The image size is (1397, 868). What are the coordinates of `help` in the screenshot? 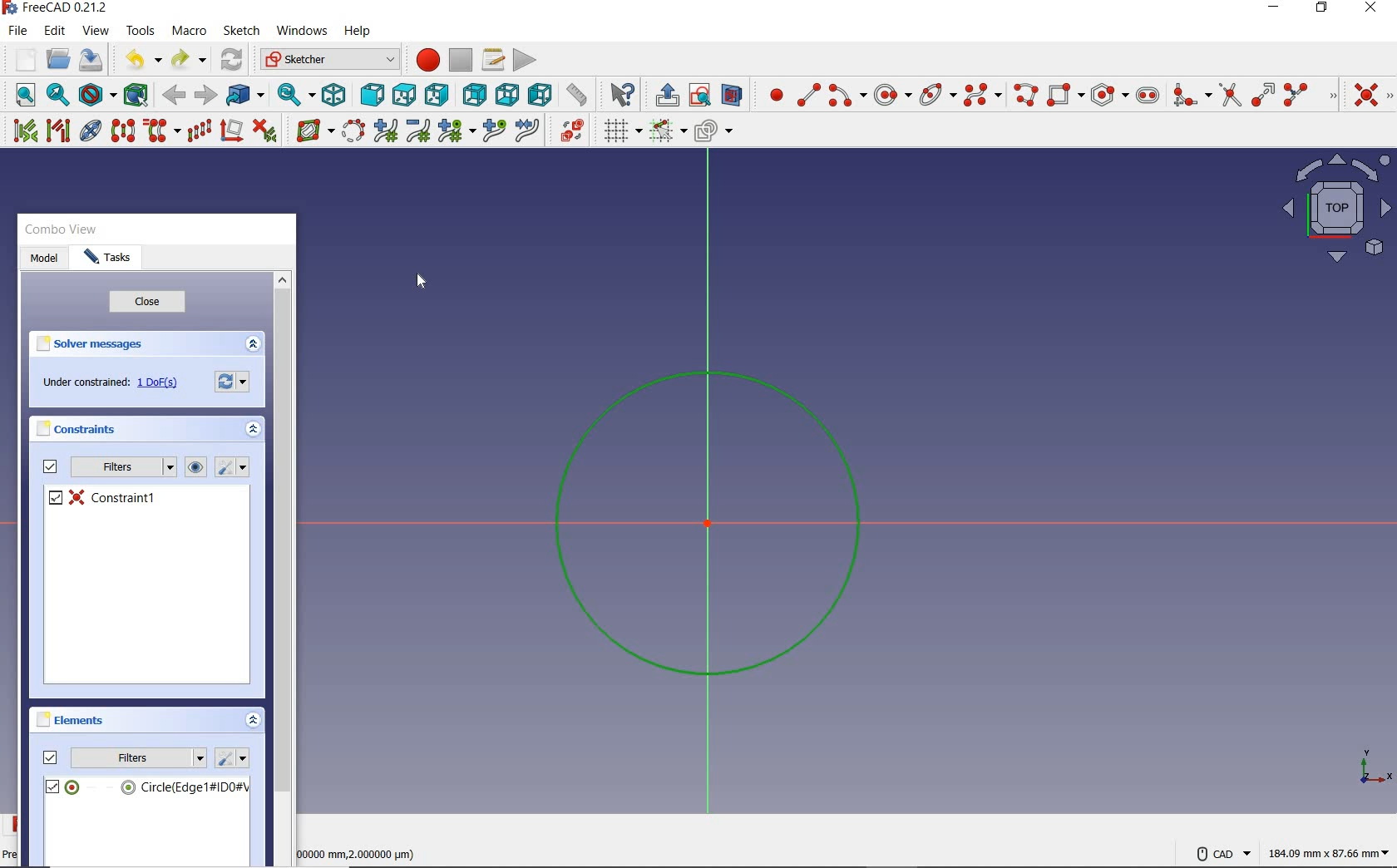 It's located at (362, 32).